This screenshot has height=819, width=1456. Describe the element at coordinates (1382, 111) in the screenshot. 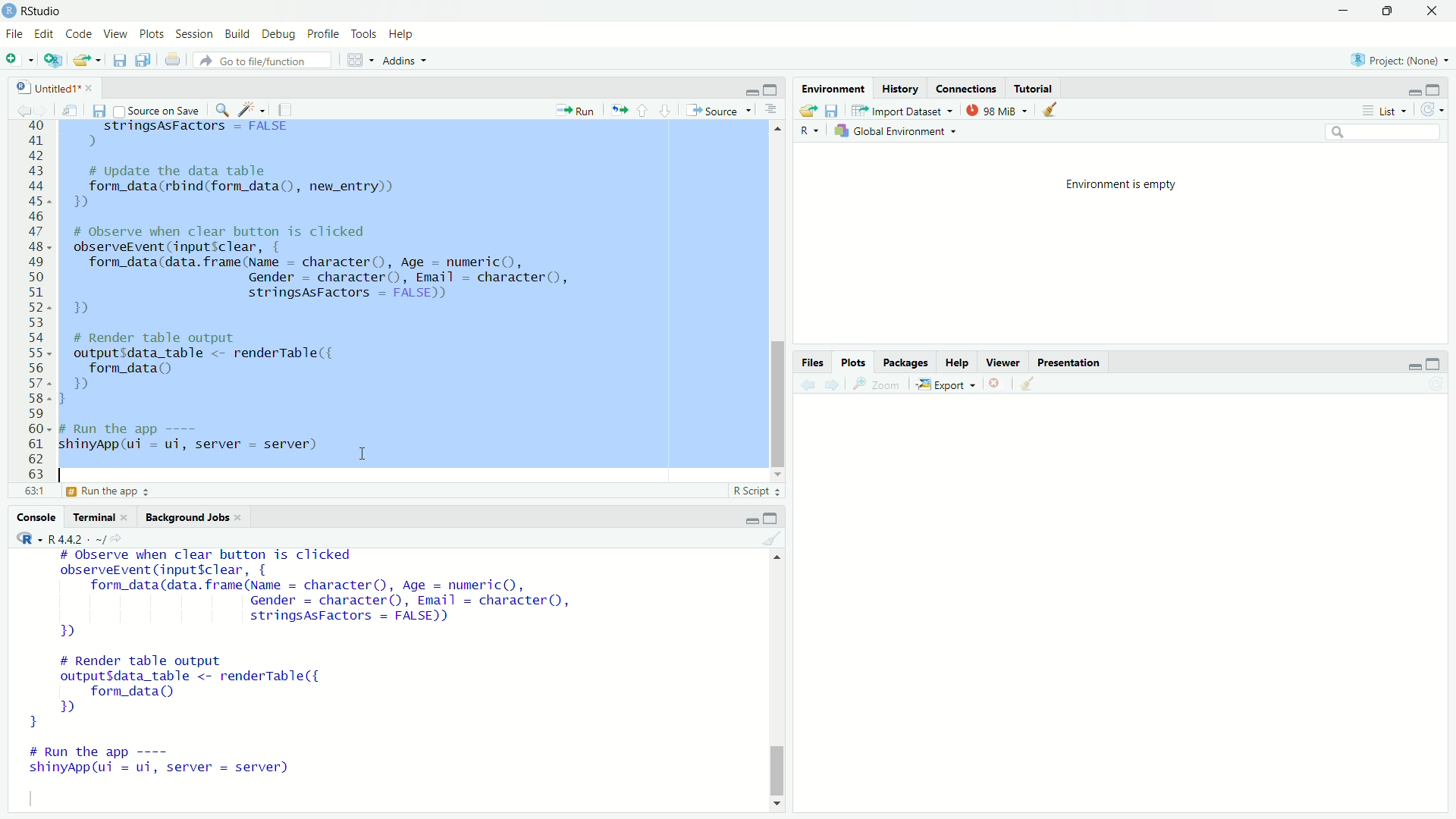

I see `list` at that location.